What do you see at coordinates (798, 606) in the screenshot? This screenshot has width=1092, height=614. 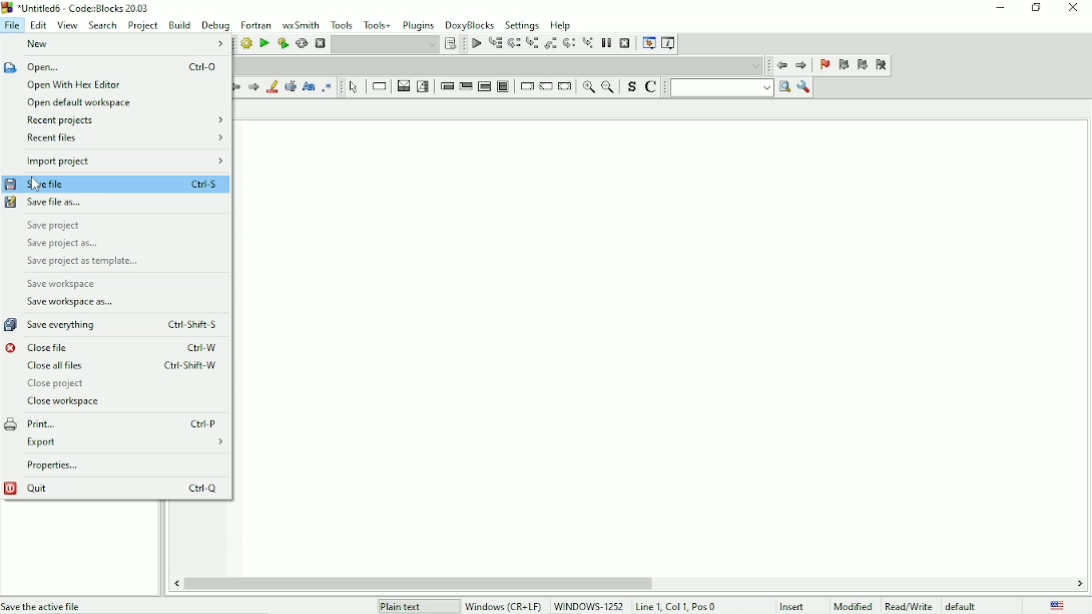 I see `Insert` at bounding box center [798, 606].